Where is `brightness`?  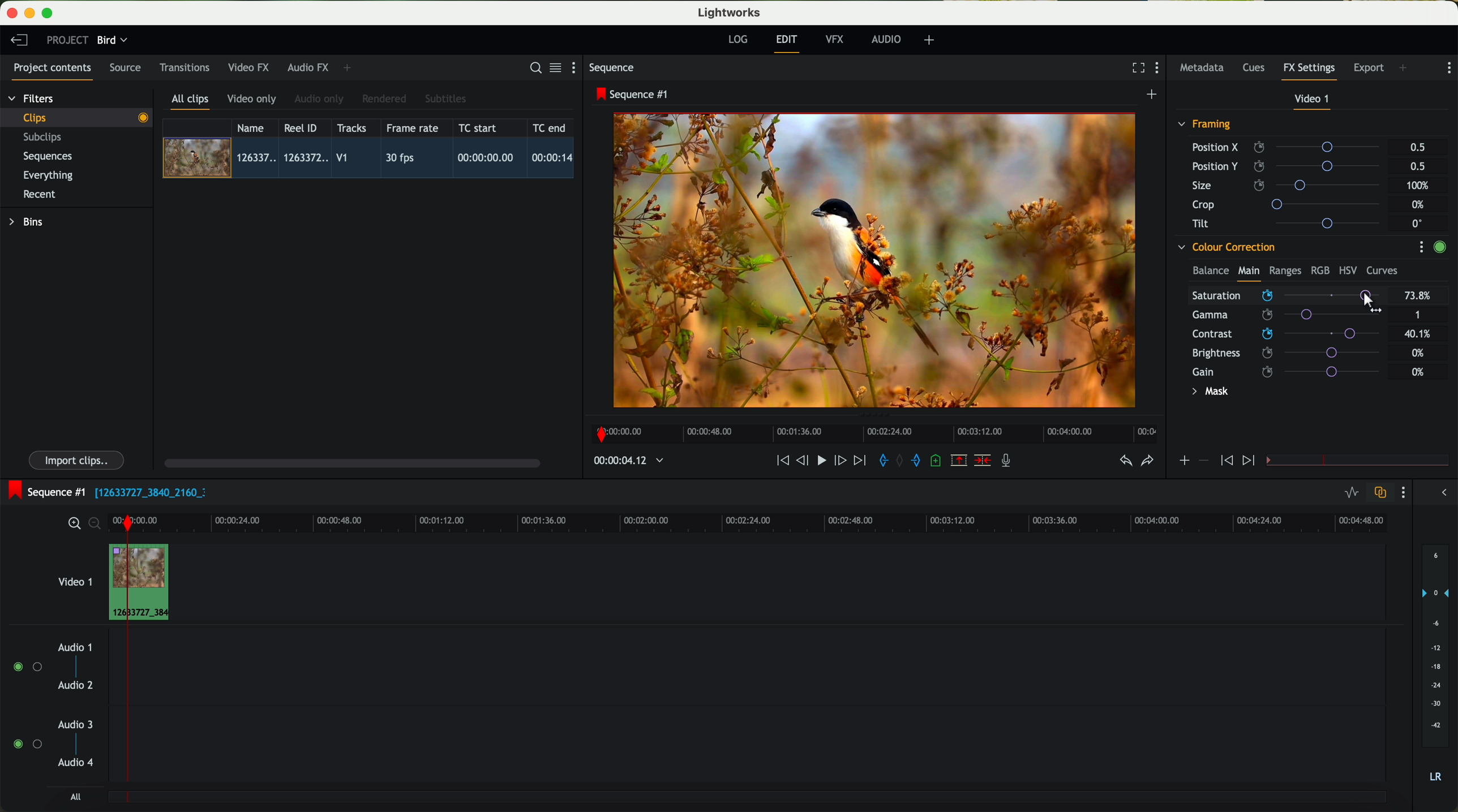
brightness is located at coordinates (1293, 353).